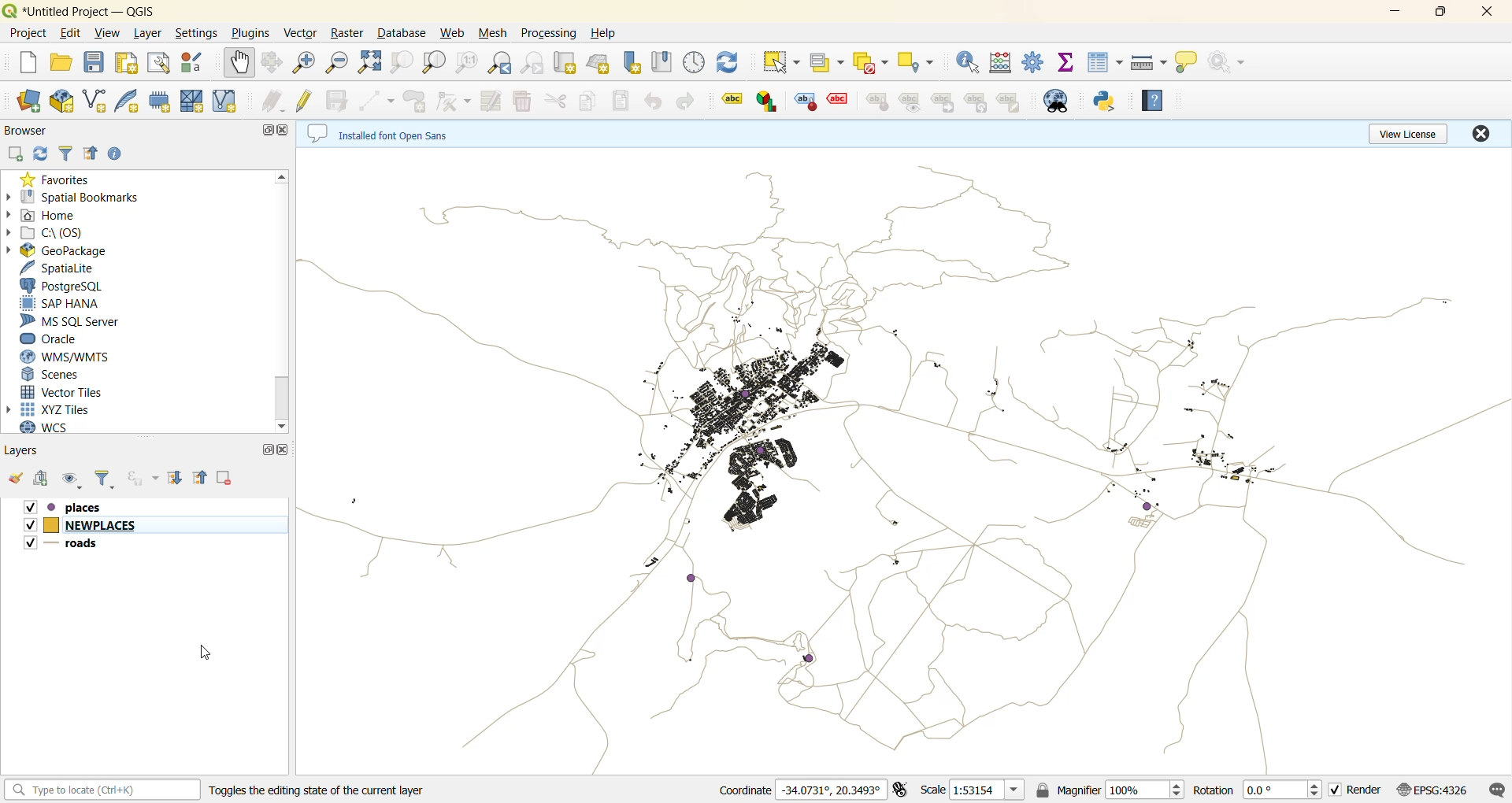 Image resolution: width=1512 pixels, height=803 pixels. I want to click on web, so click(454, 35).